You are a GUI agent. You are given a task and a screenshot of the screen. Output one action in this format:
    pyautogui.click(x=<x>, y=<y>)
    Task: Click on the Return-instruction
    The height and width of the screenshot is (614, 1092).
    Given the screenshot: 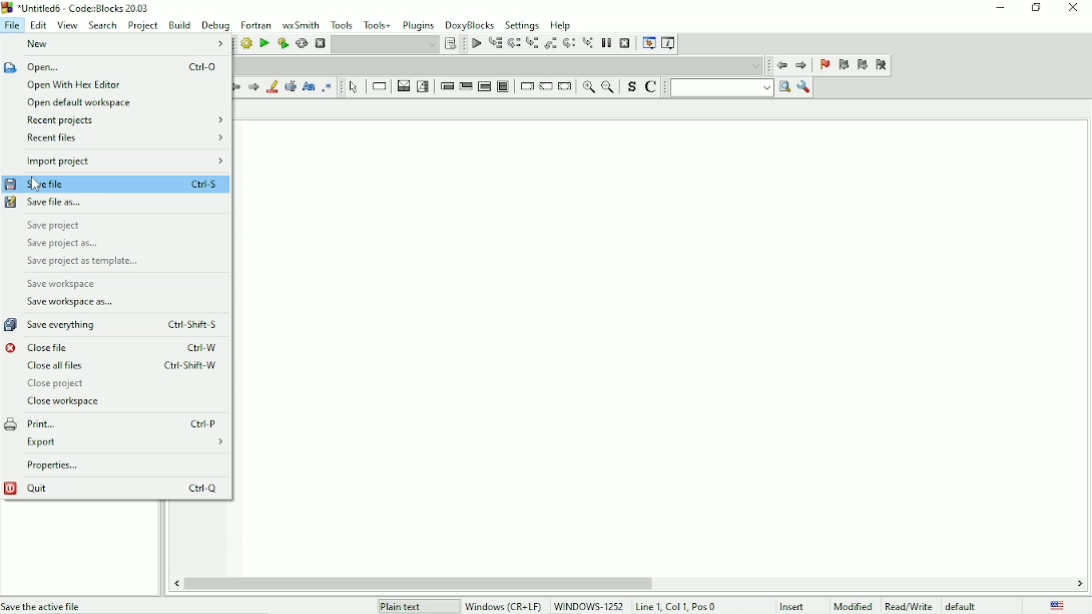 What is the action you would take?
    pyautogui.click(x=566, y=86)
    